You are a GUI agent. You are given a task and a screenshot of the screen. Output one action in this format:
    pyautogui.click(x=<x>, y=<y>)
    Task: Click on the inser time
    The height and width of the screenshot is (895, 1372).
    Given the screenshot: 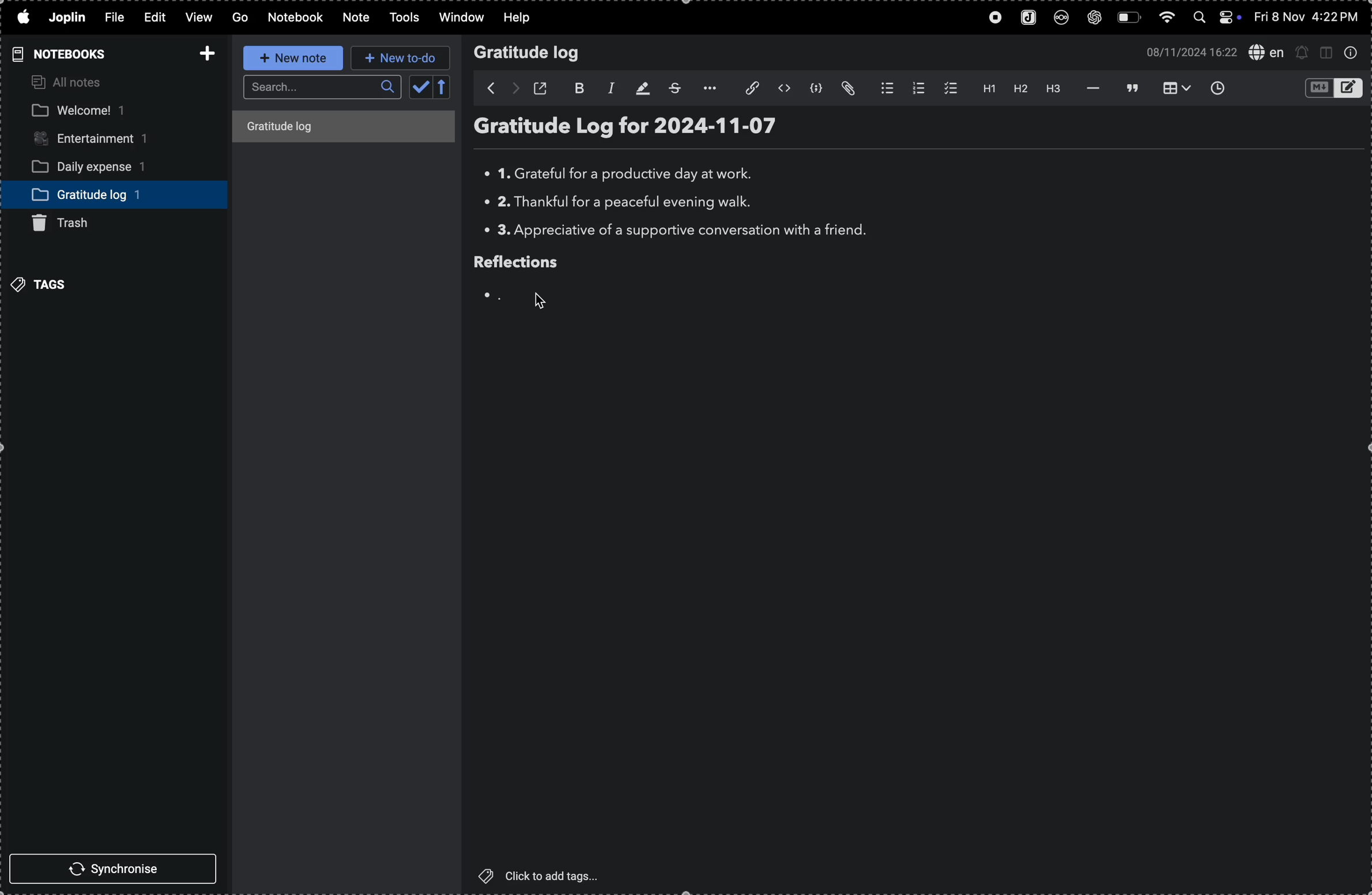 What is the action you would take?
    pyautogui.click(x=1220, y=89)
    